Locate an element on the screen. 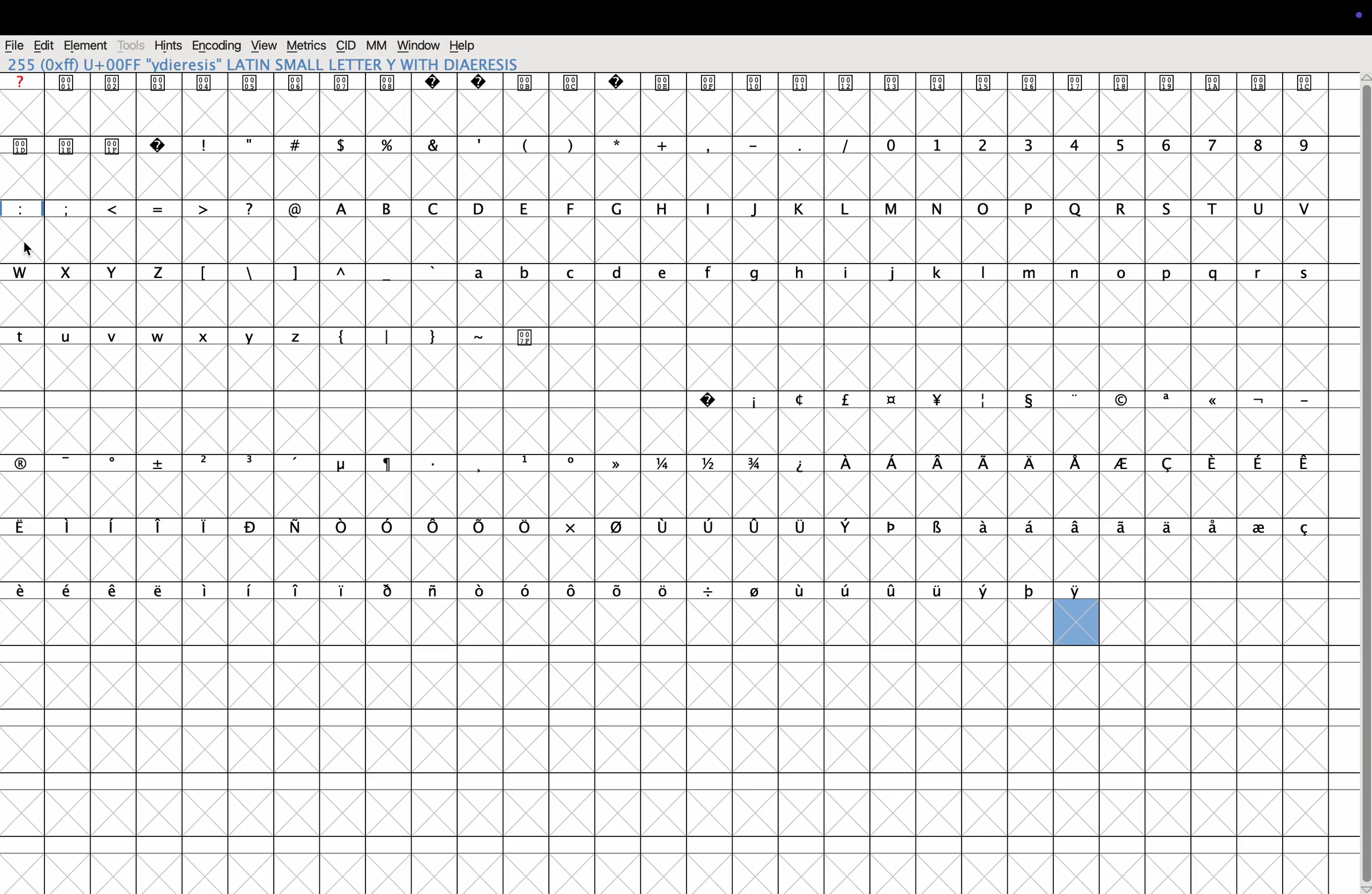 This screenshot has height=894, width=1372. k is located at coordinates (937, 295).